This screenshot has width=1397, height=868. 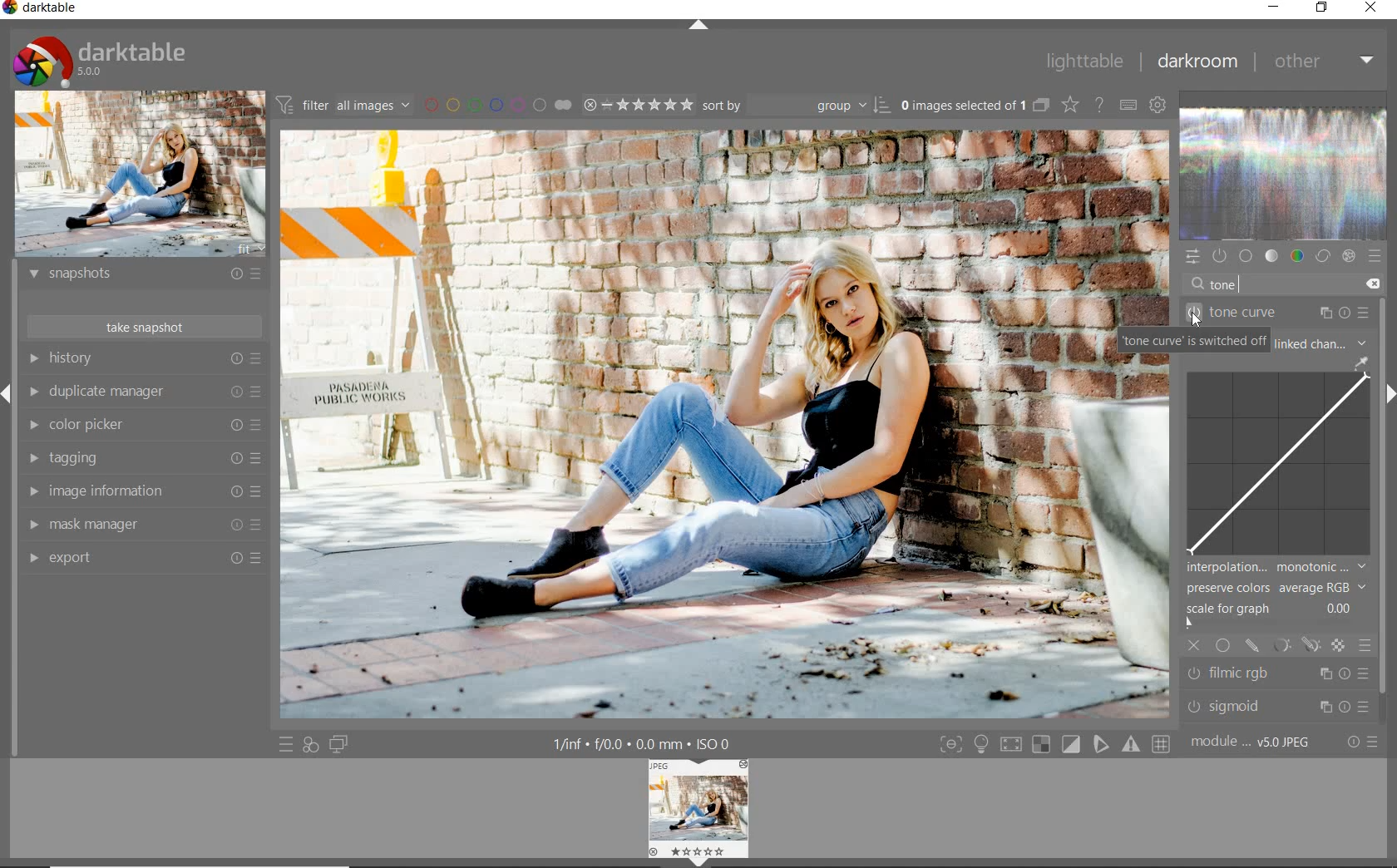 I want to click on linked channel, so click(x=1325, y=343).